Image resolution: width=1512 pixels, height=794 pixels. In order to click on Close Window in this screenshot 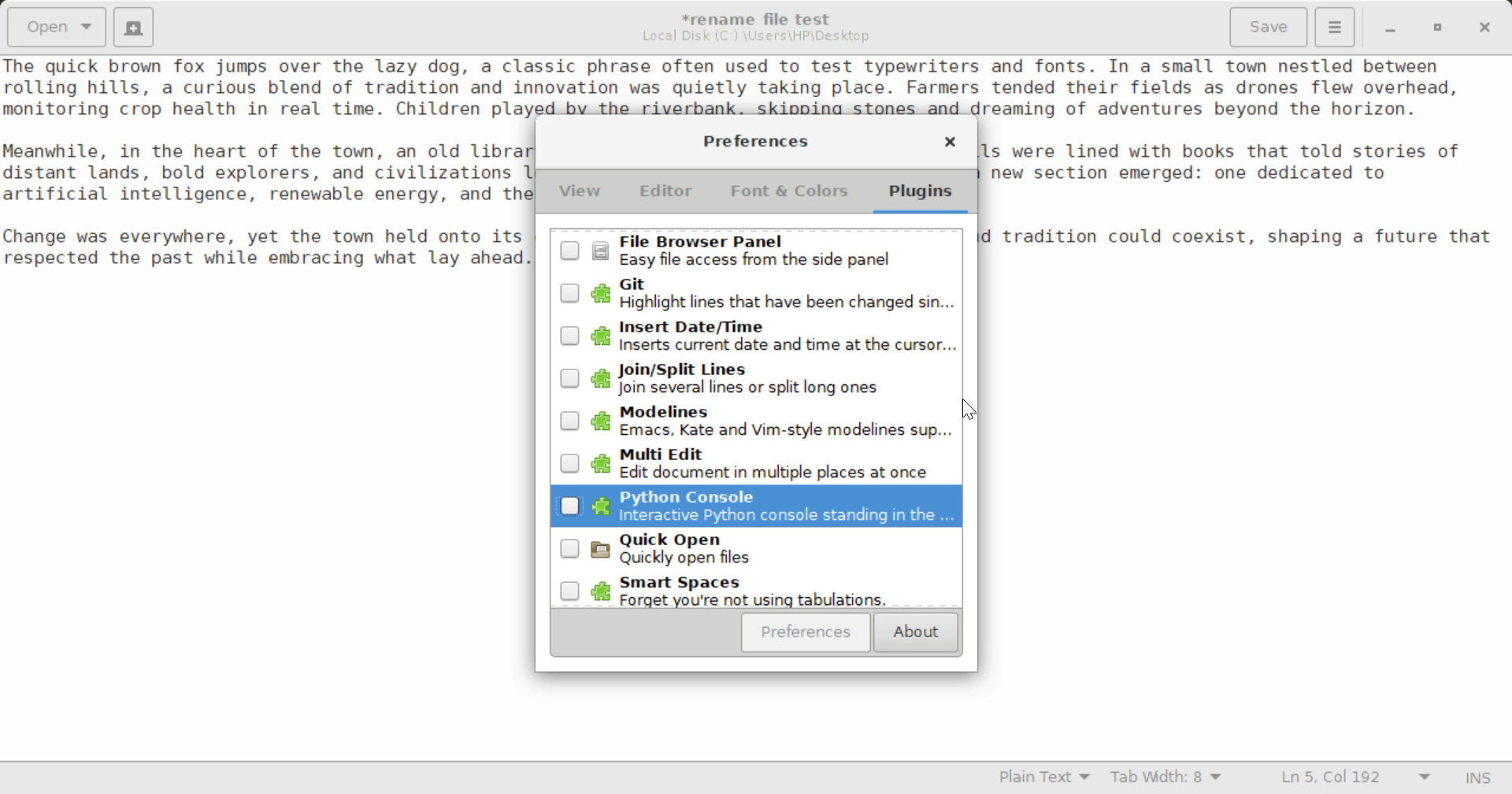, I will do `click(1487, 26)`.